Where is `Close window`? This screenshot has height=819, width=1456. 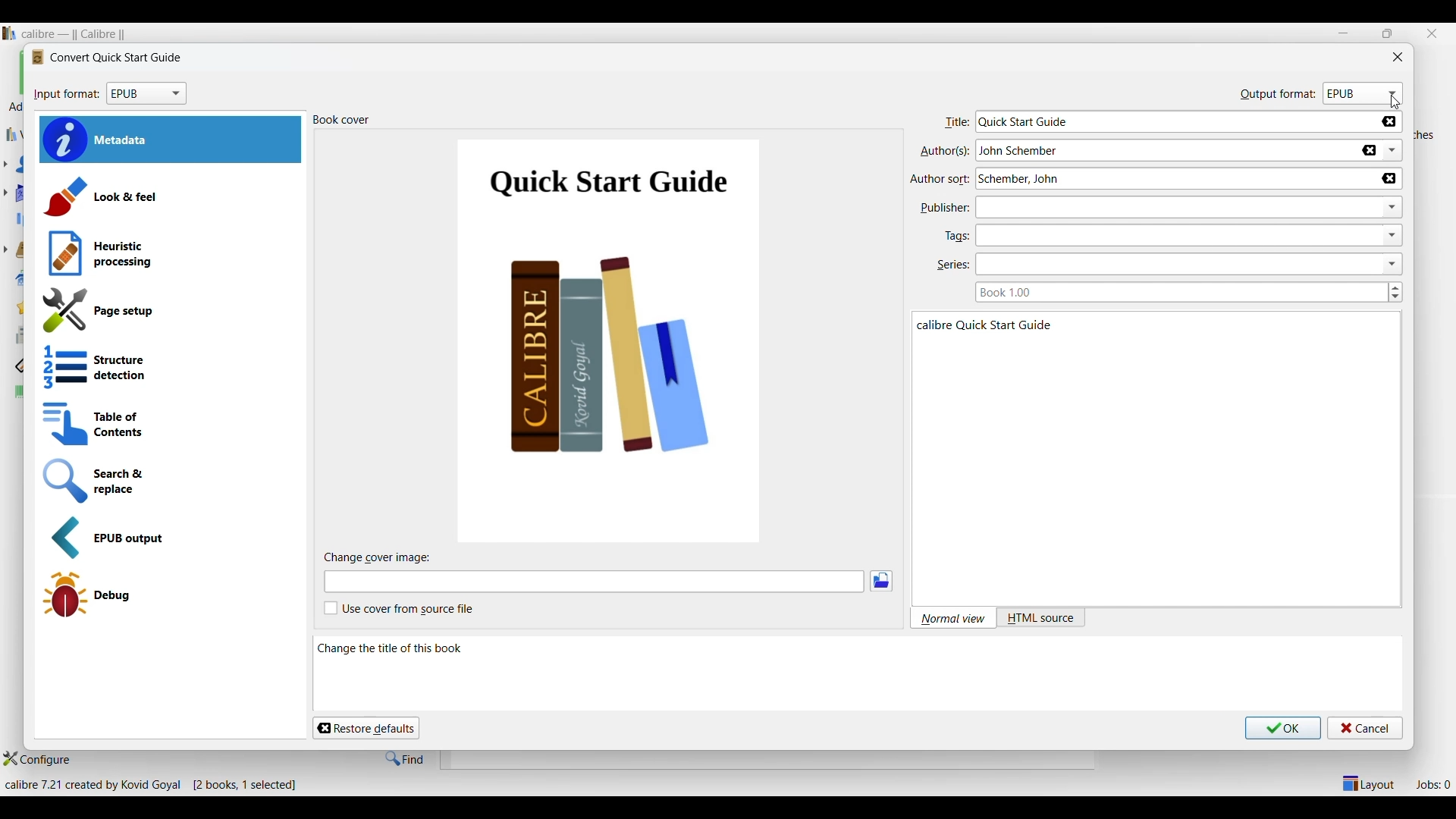 Close window is located at coordinates (1398, 56).